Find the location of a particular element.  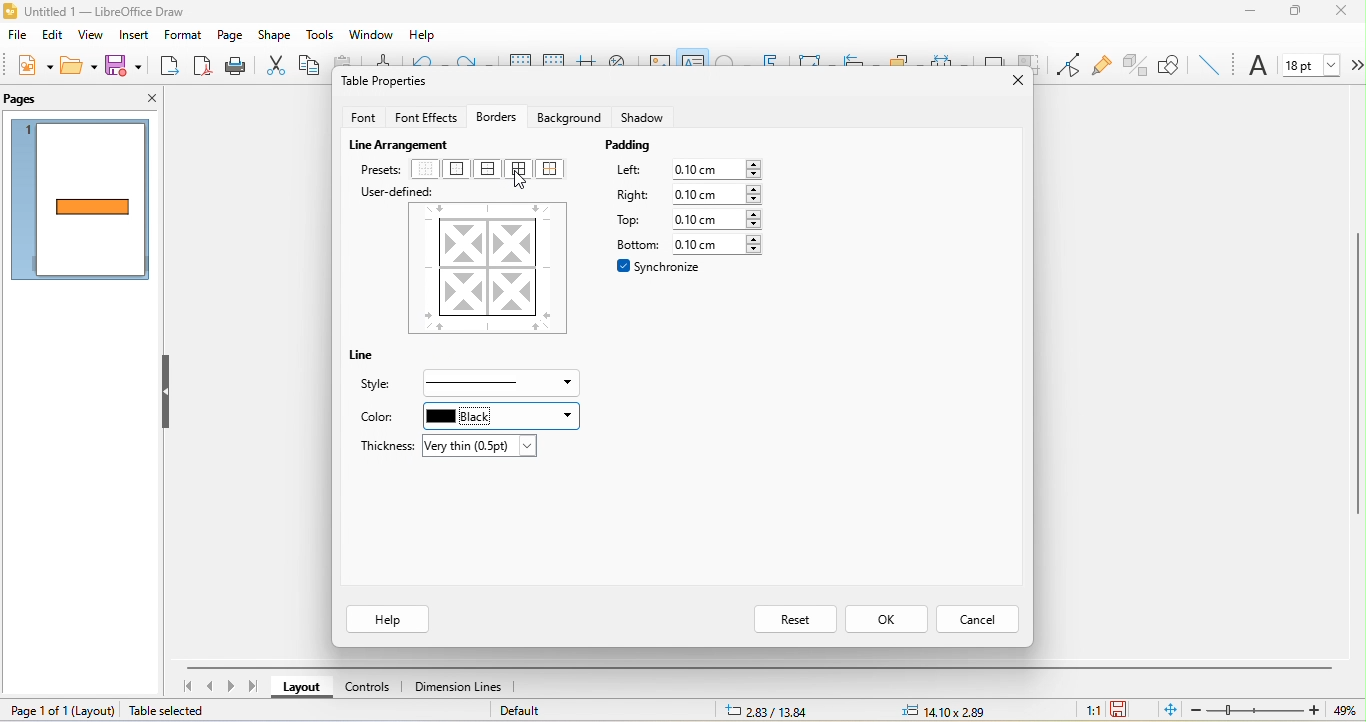

controls is located at coordinates (371, 685).